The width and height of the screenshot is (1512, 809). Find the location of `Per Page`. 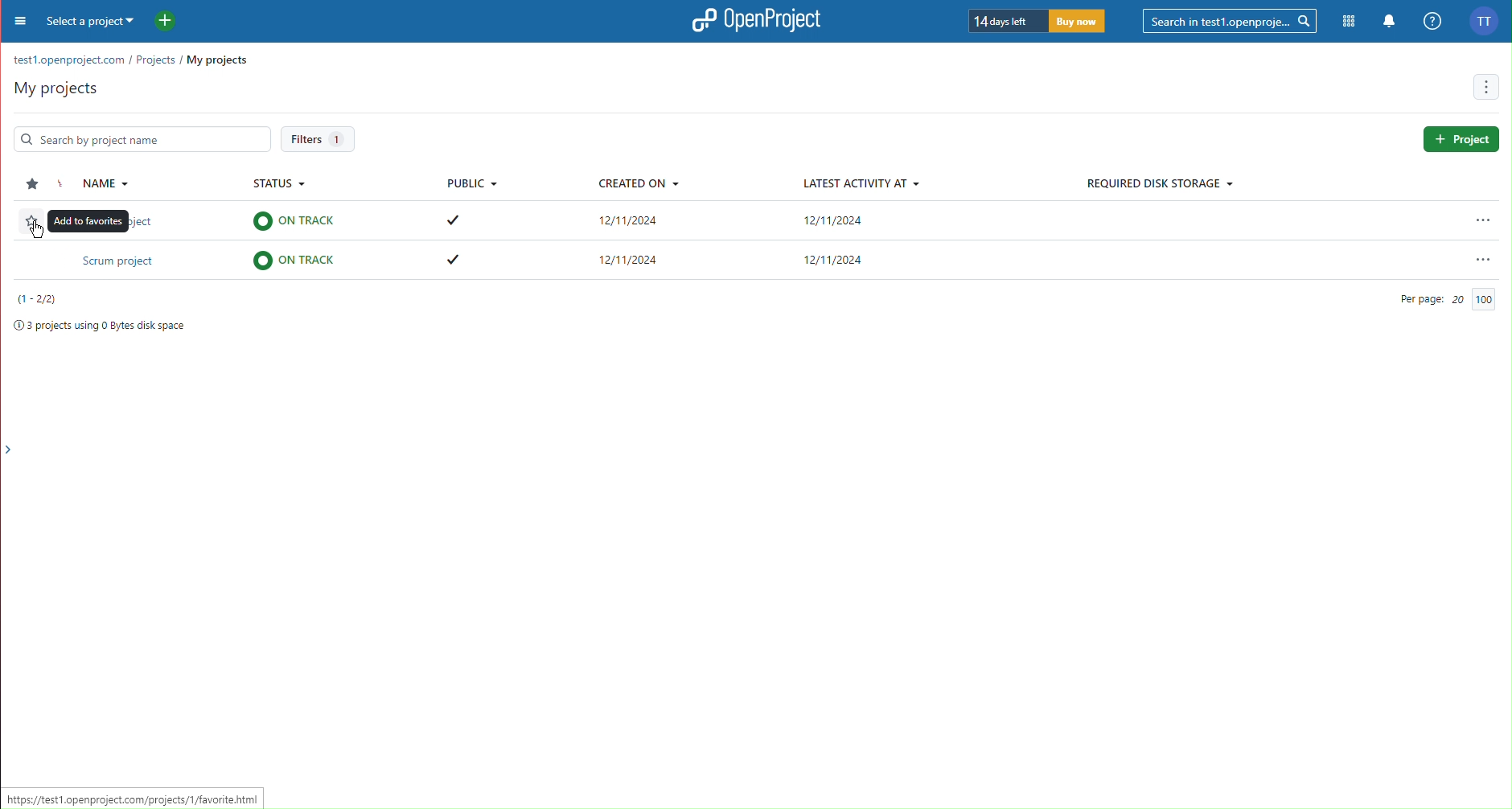

Per Page is located at coordinates (1444, 299).